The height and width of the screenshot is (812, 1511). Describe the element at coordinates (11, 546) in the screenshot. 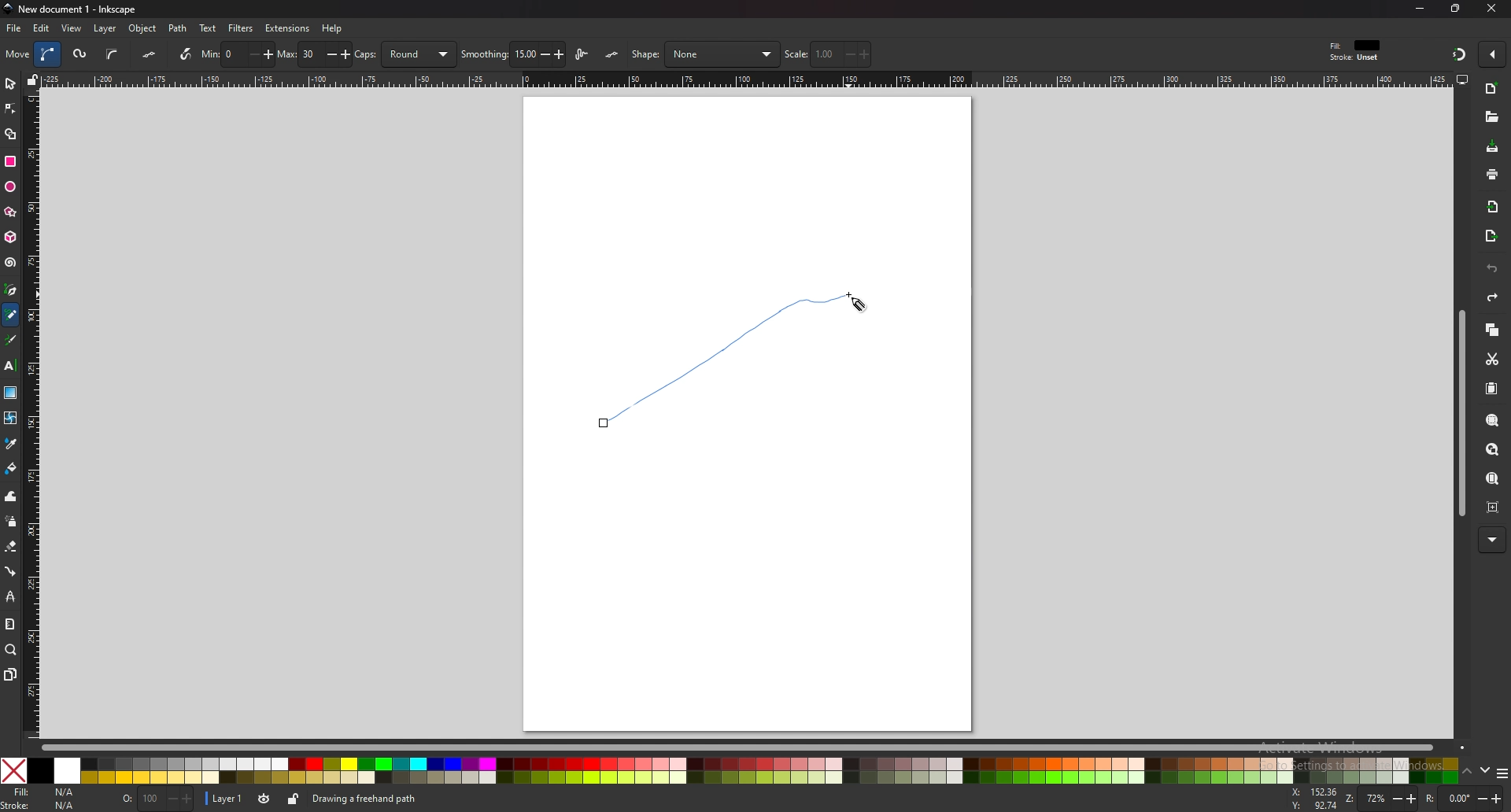

I see `eraser` at that location.